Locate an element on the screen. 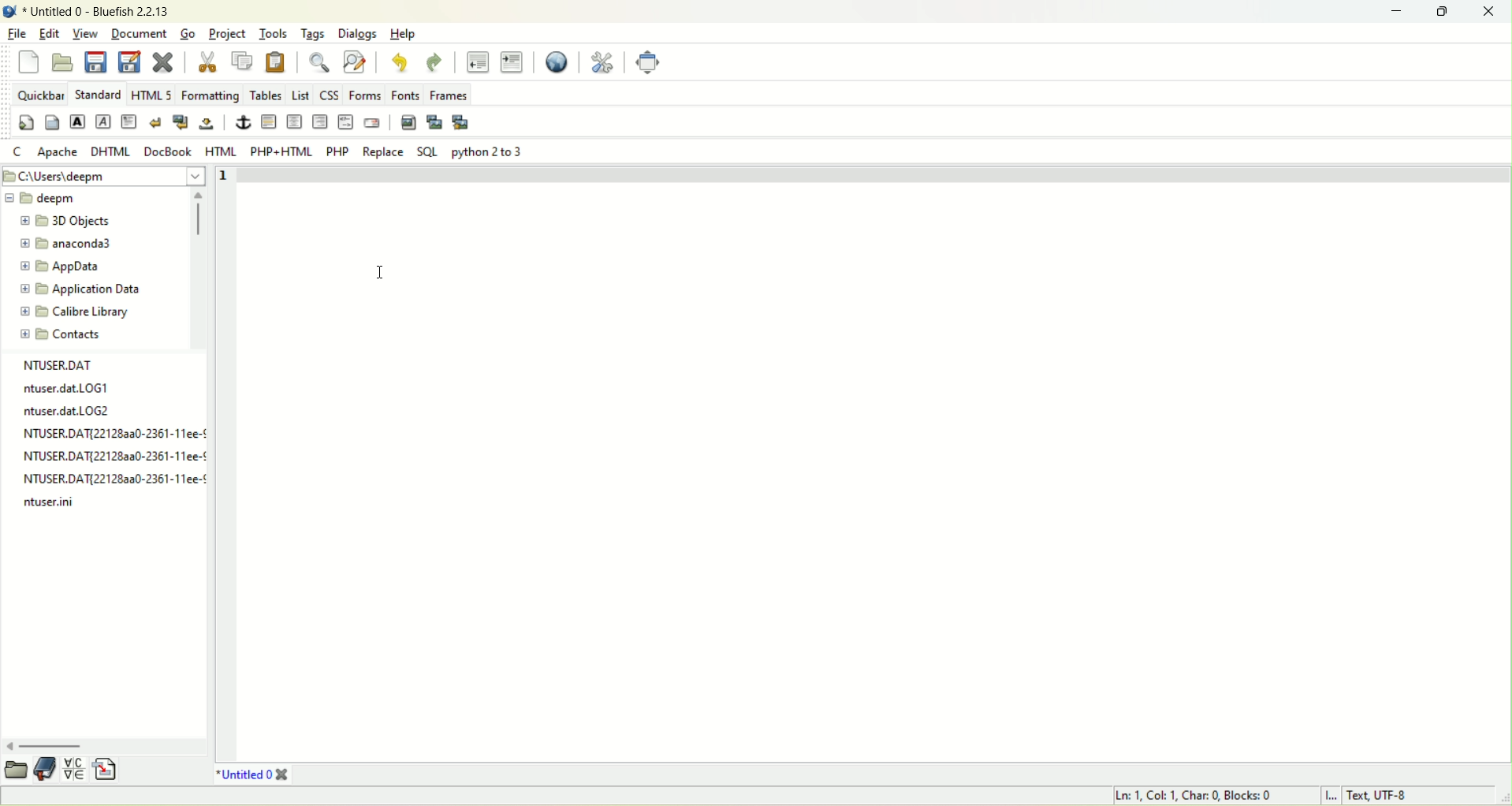  close is located at coordinates (283, 774).